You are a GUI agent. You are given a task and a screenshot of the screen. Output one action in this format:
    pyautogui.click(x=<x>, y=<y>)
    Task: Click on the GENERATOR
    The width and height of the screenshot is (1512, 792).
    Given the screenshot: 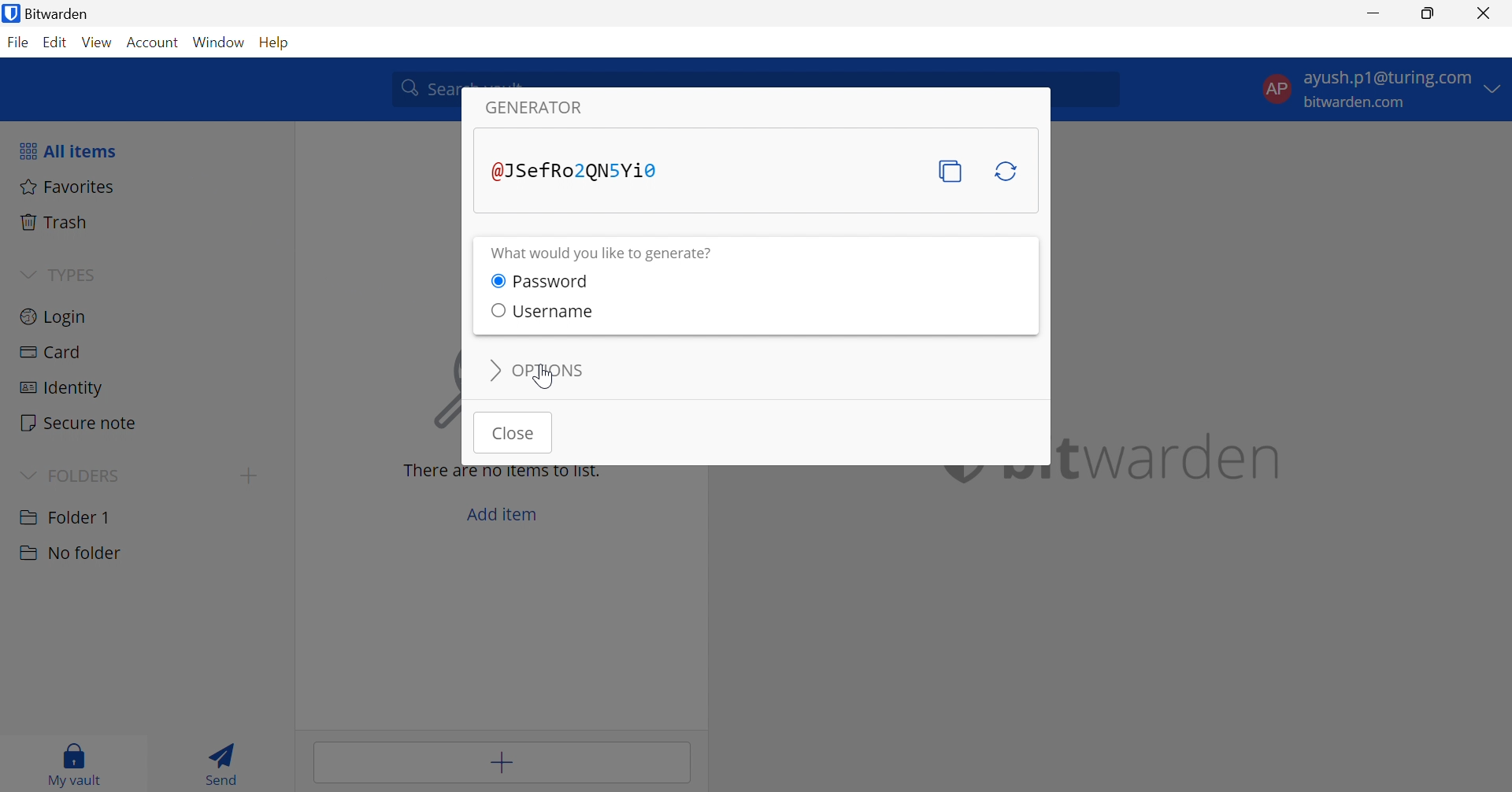 What is the action you would take?
    pyautogui.click(x=536, y=108)
    